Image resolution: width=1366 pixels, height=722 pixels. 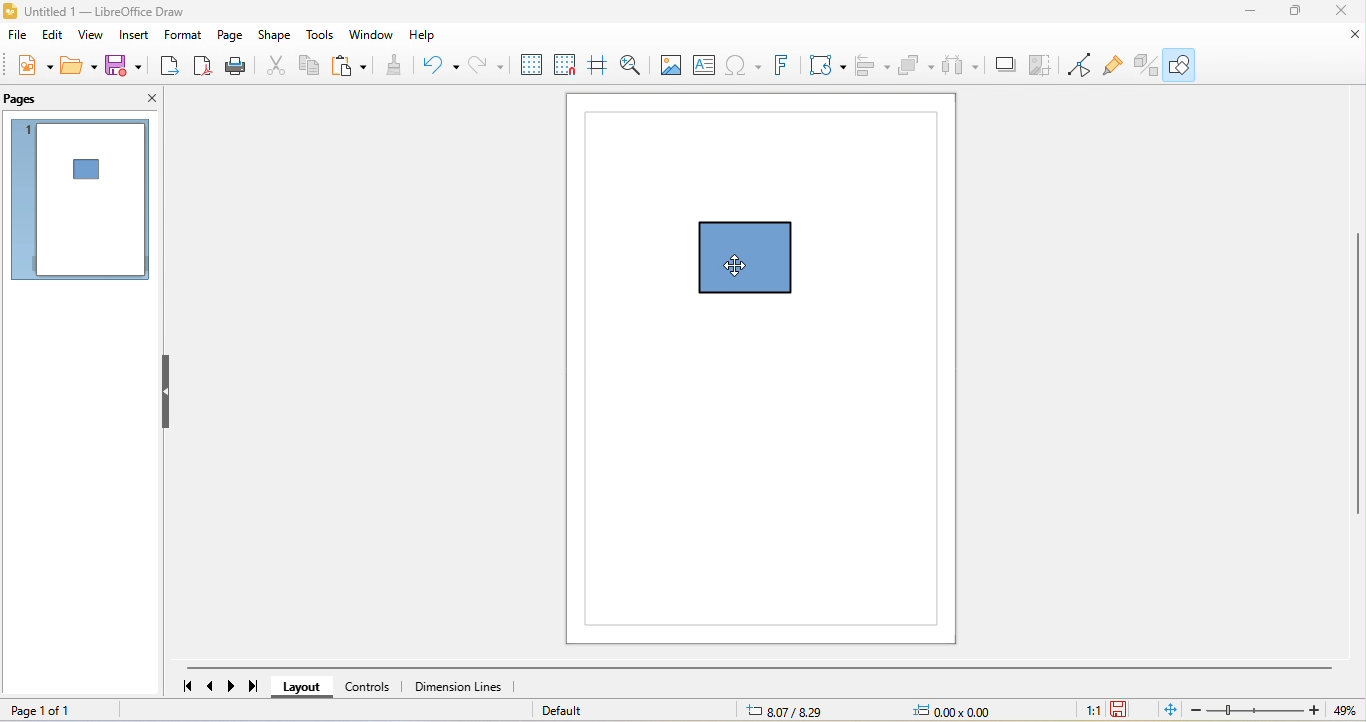 What do you see at coordinates (947, 711) in the screenshot?
I see `0.00 x0.00` at bounding box center [947, 711].